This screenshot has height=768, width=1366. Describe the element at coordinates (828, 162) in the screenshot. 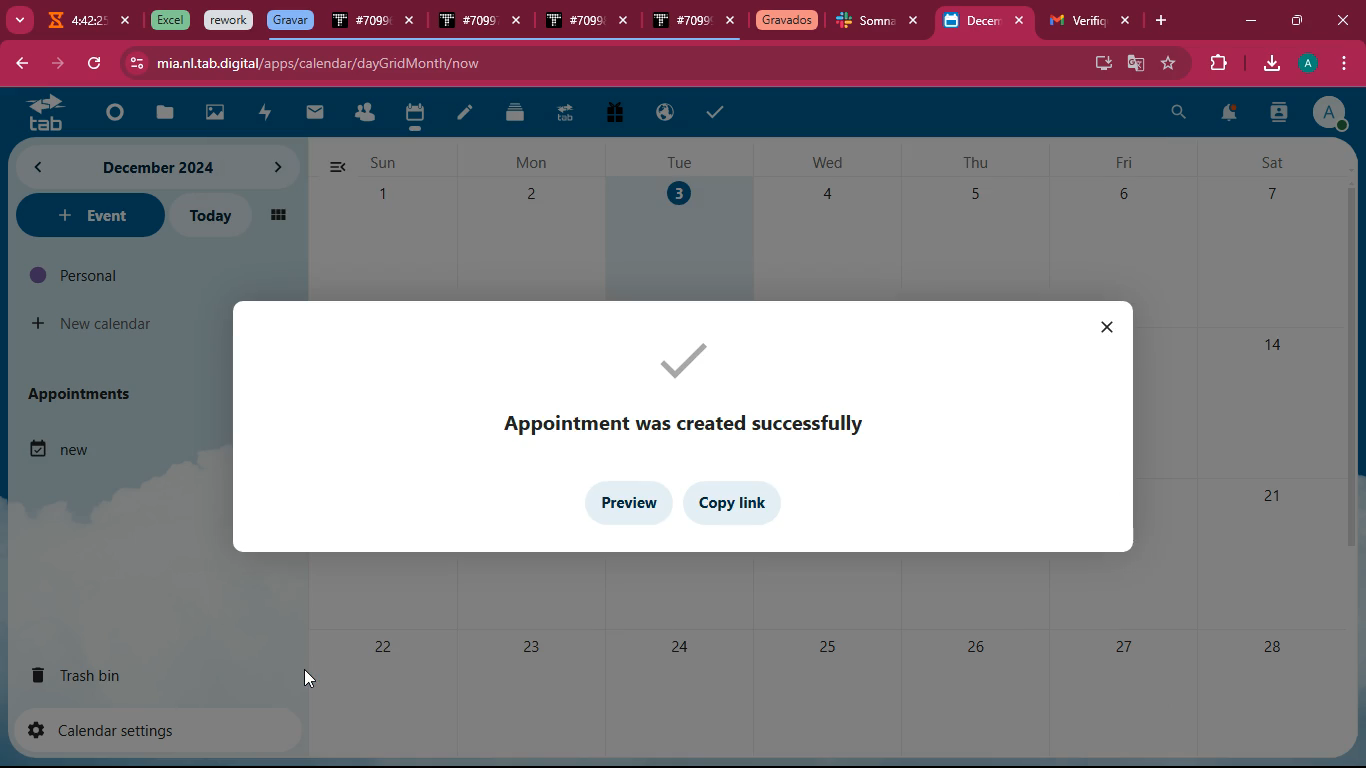

I see `Day of week` at that location.